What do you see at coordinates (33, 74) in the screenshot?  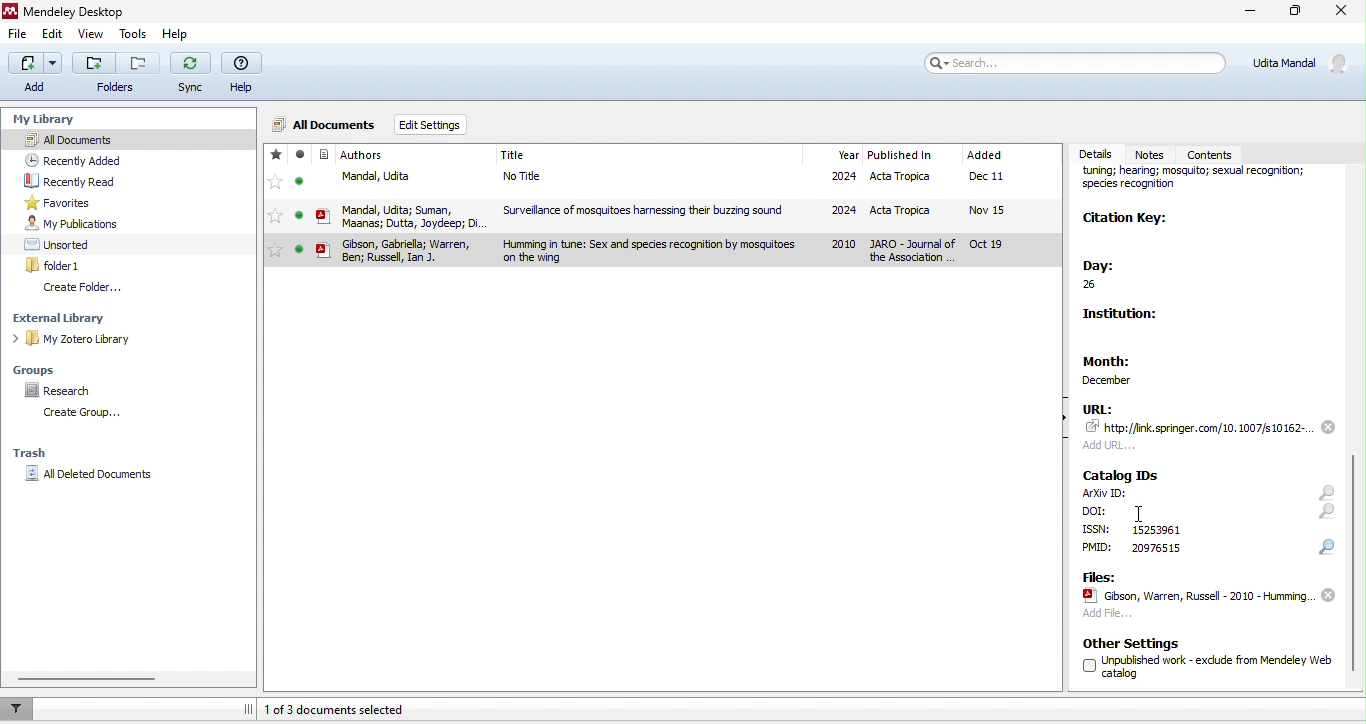 I see `add` at bounding box center [33, 74].